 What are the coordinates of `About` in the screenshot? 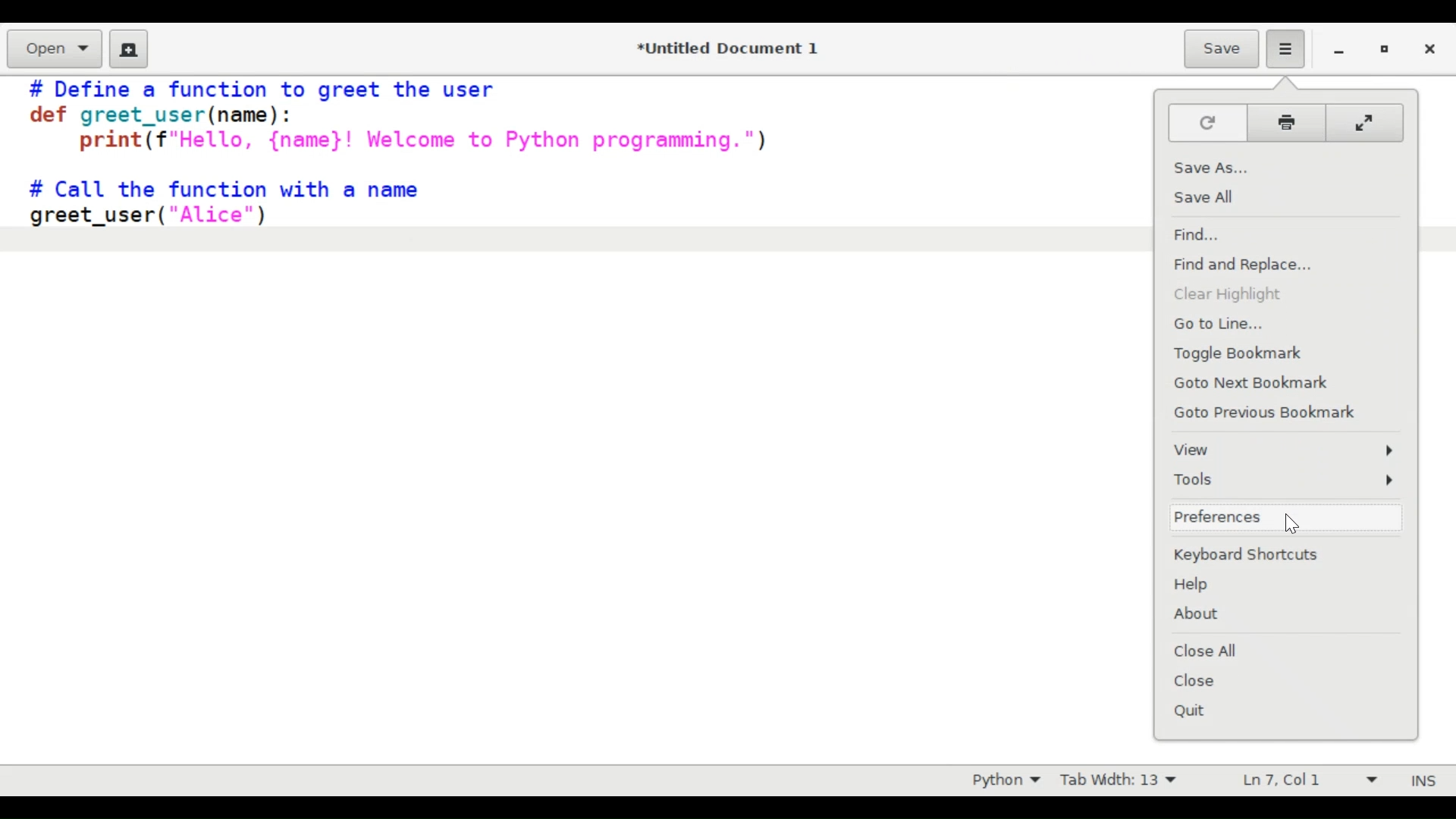 It's located at (1273, 613).